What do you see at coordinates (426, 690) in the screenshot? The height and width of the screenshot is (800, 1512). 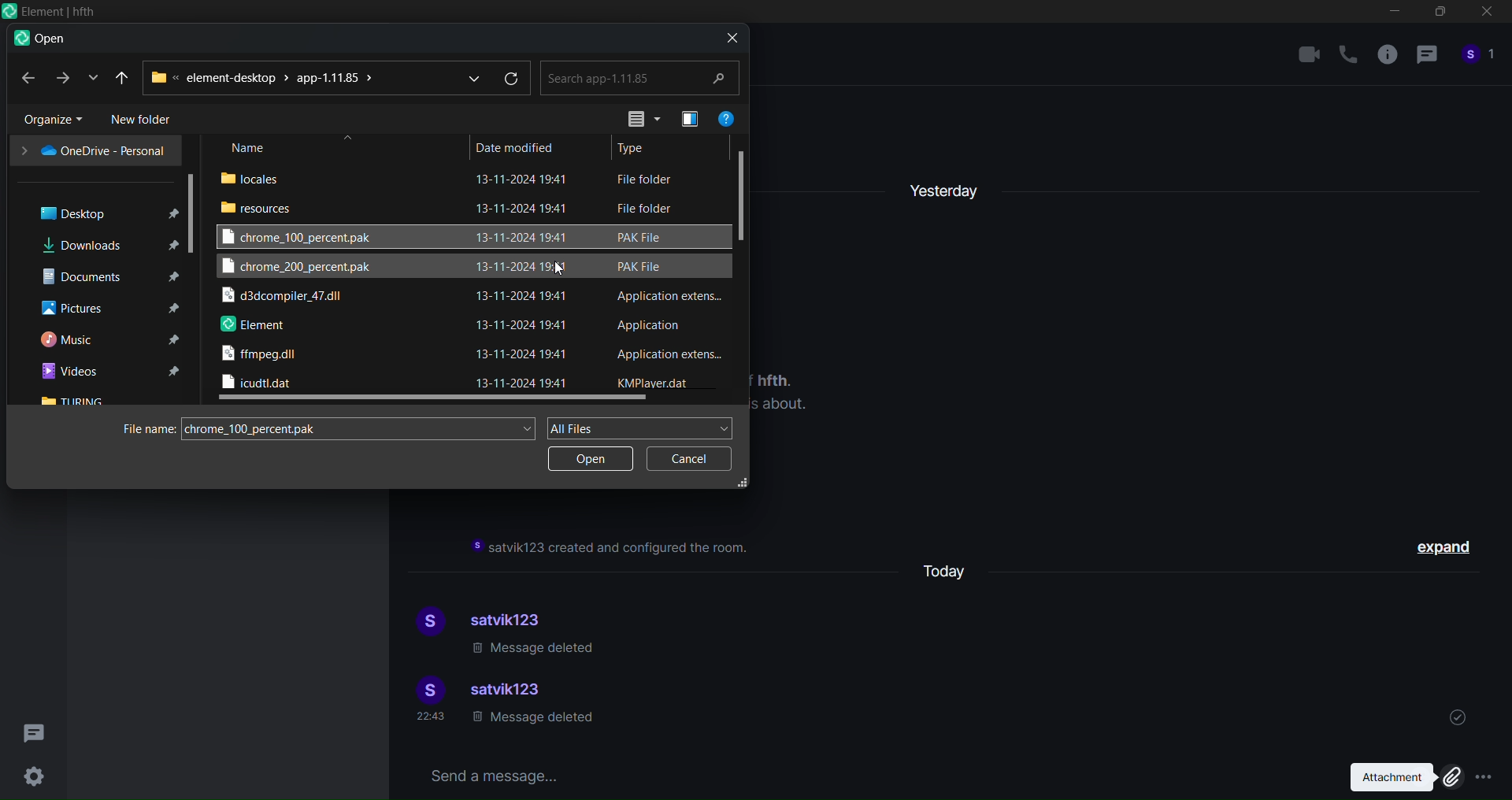 I see `display picture` at bounding box center [426, 690].